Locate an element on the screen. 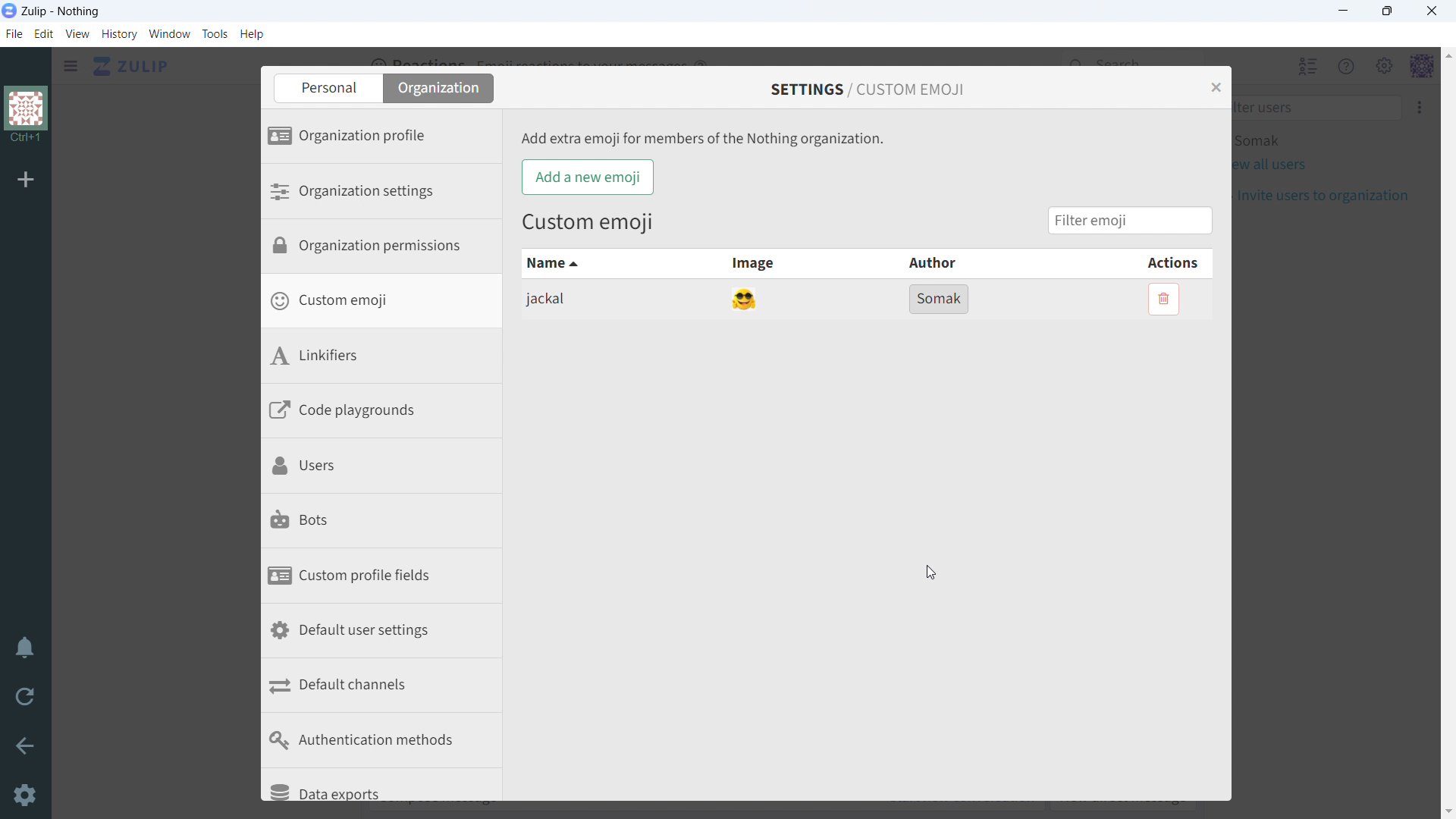  go to home view is located at coordinates (131, 67).